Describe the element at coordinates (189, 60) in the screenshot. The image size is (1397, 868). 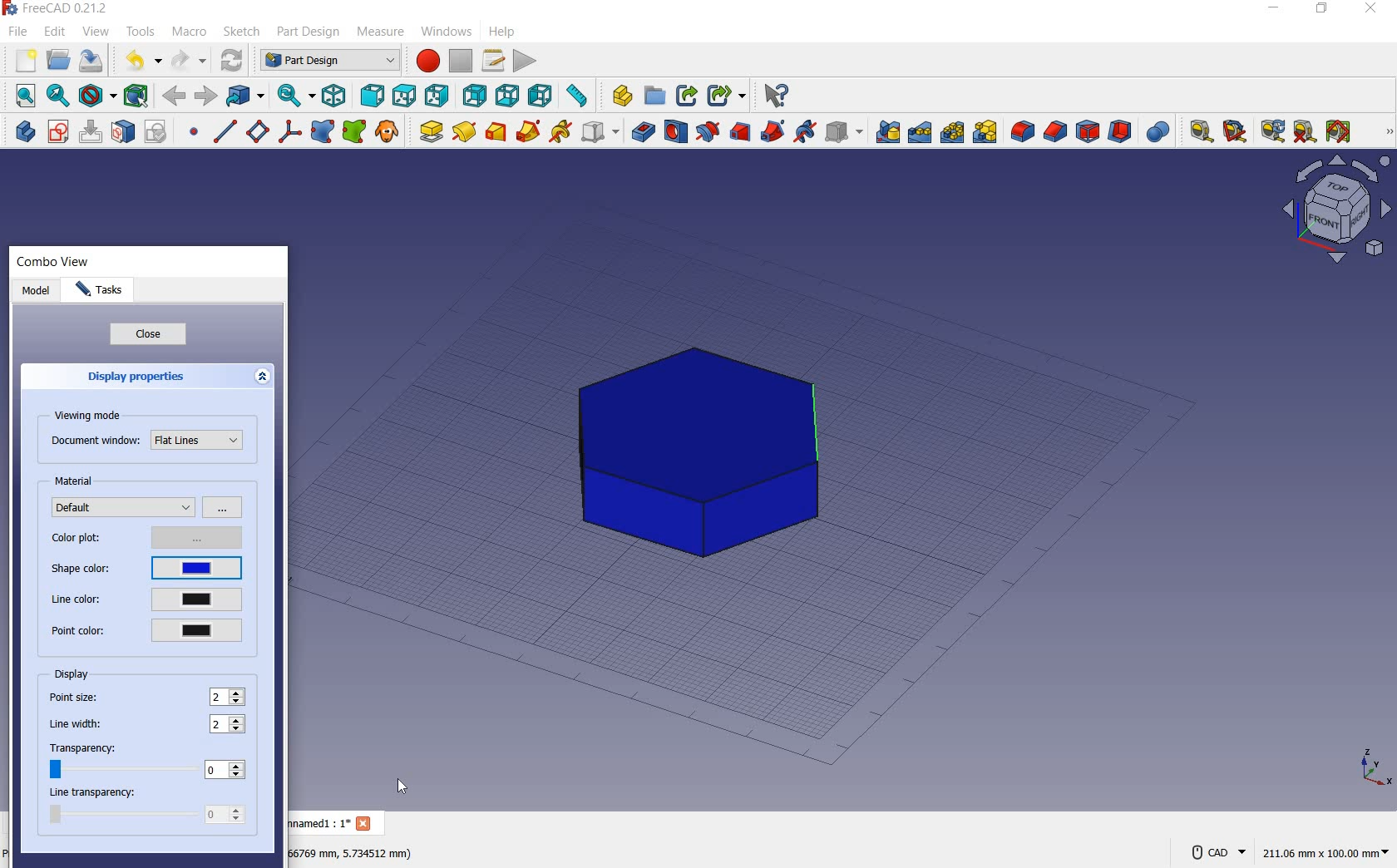
I see `redo` at that location.